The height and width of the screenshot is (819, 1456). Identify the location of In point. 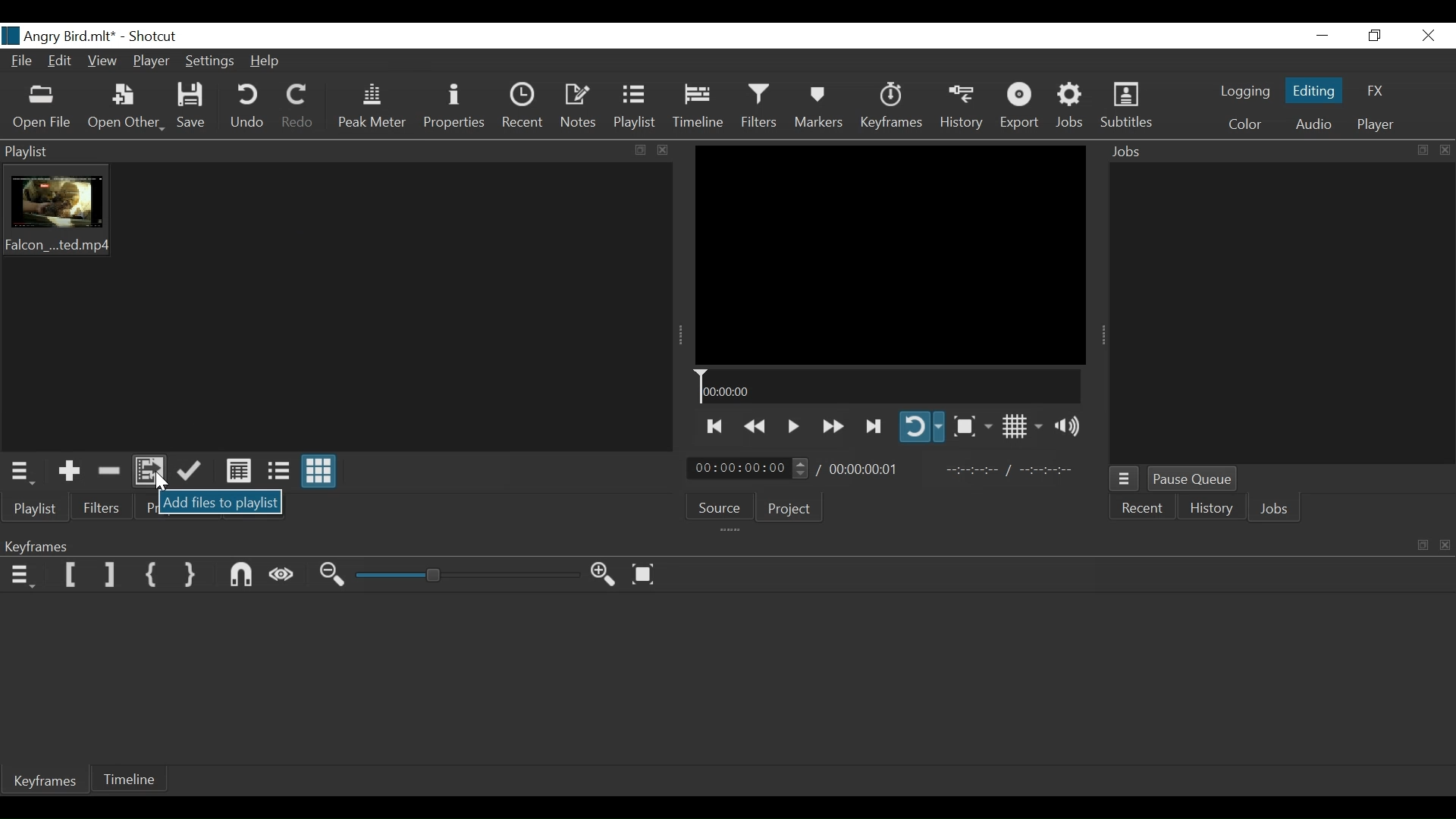
(1012, 469).